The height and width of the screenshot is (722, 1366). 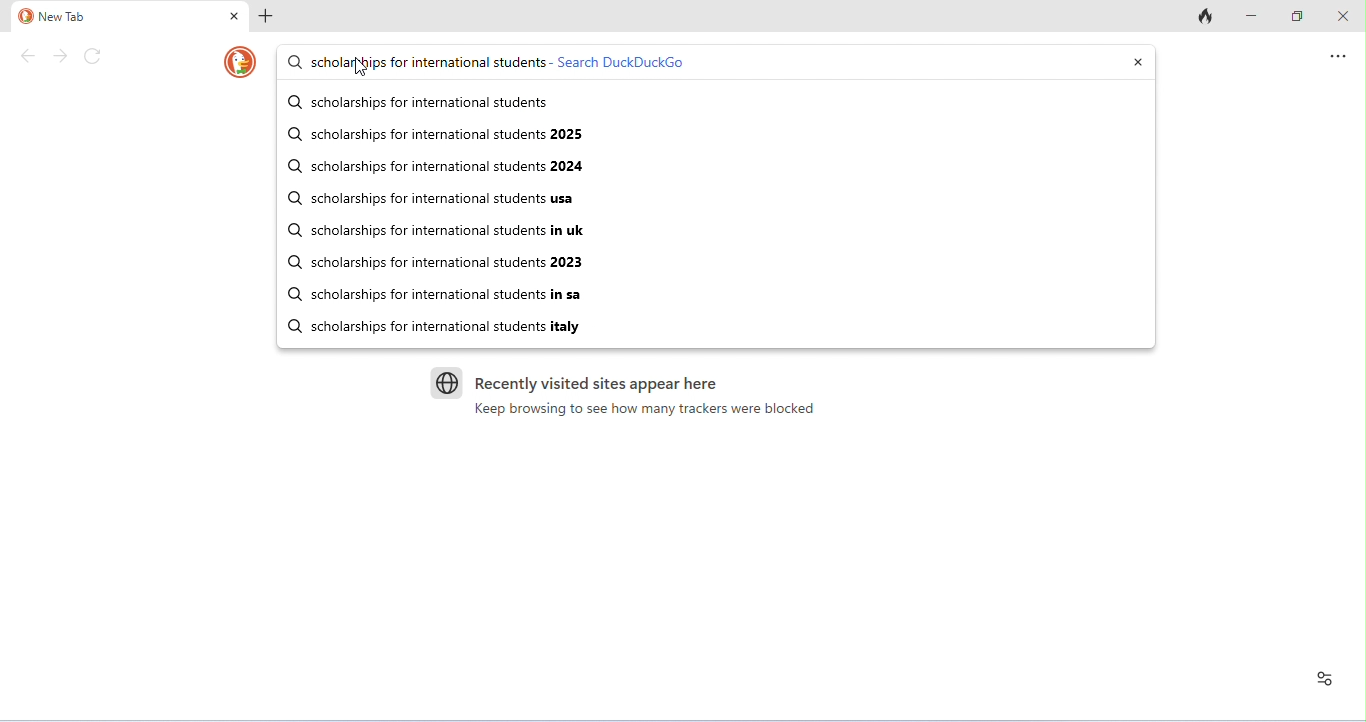 I want to click on search icon, so click(x=290, y=323).